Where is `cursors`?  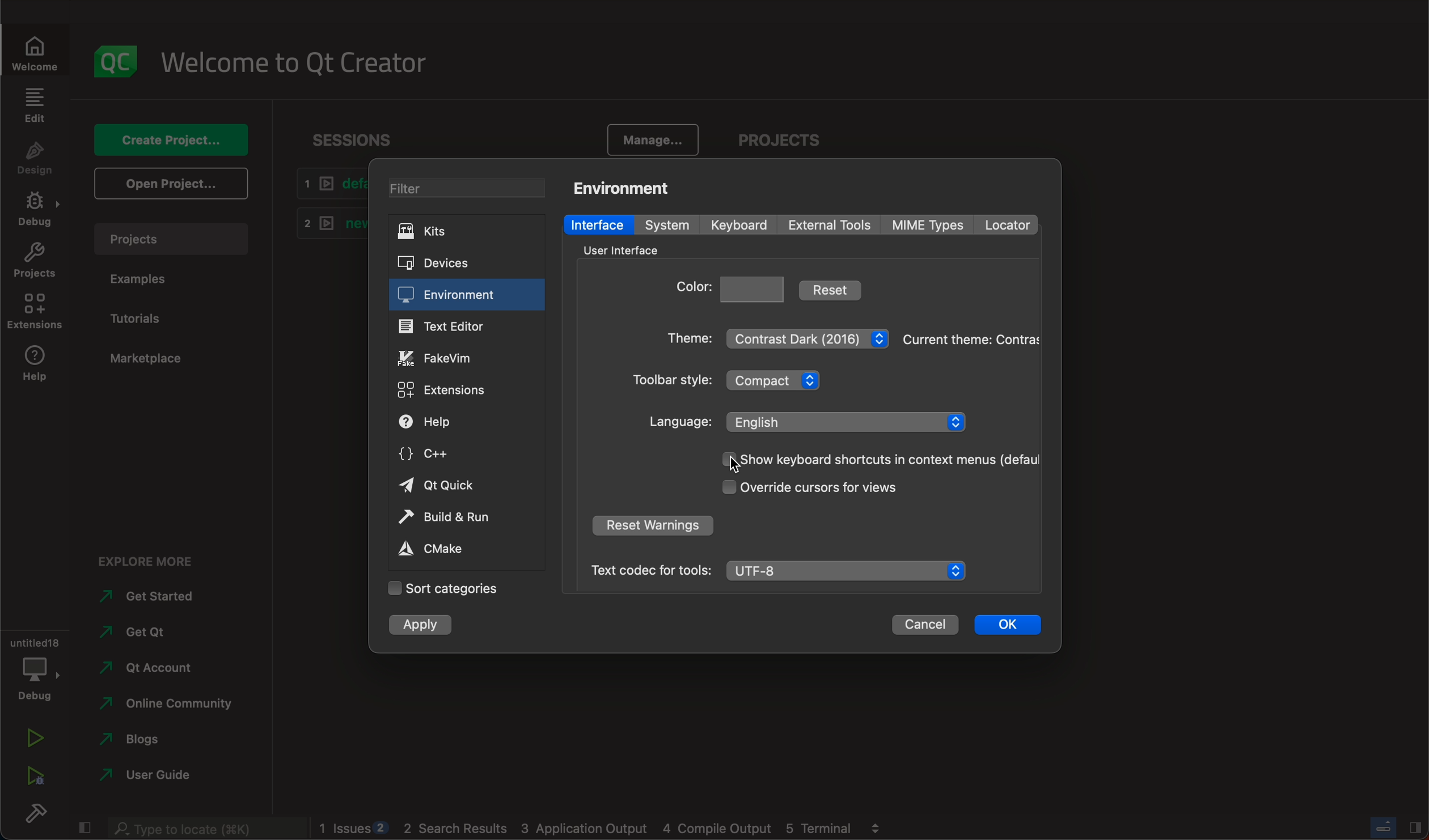 cursors is located at coordinates (816, 489).